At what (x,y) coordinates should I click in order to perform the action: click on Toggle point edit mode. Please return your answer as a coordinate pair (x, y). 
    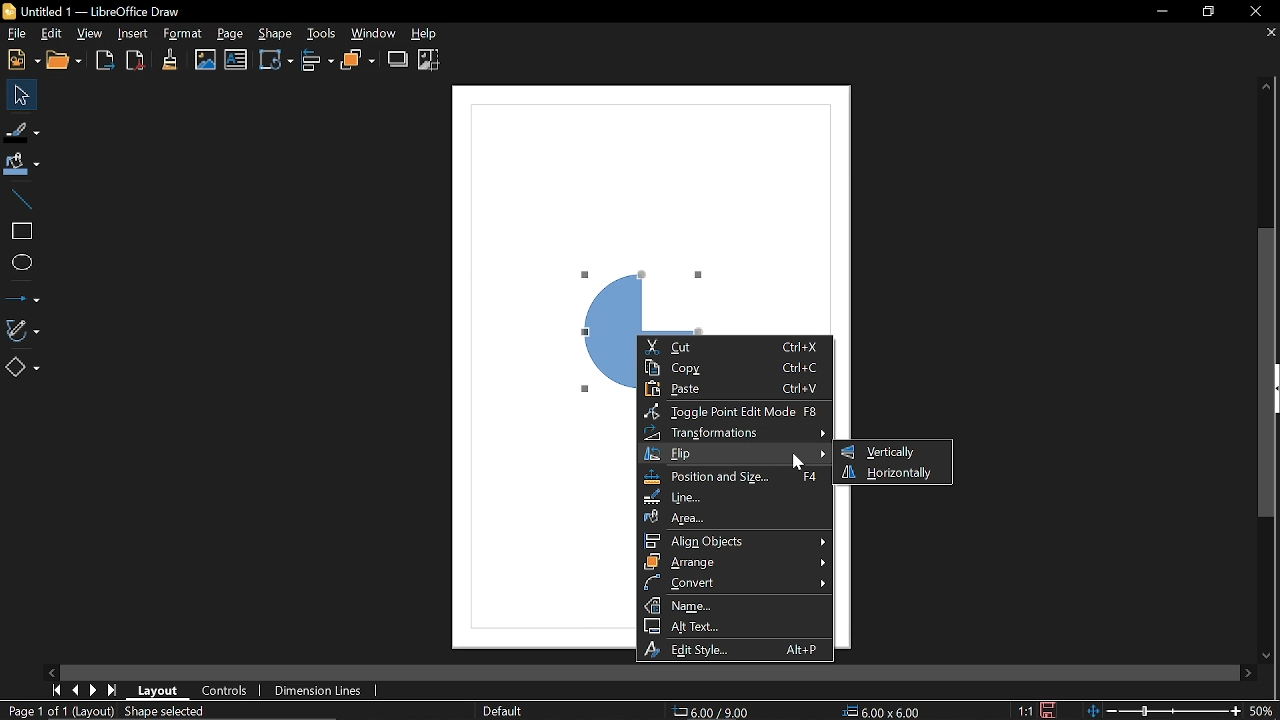
    Looking at the image, I should click on (734, 412).